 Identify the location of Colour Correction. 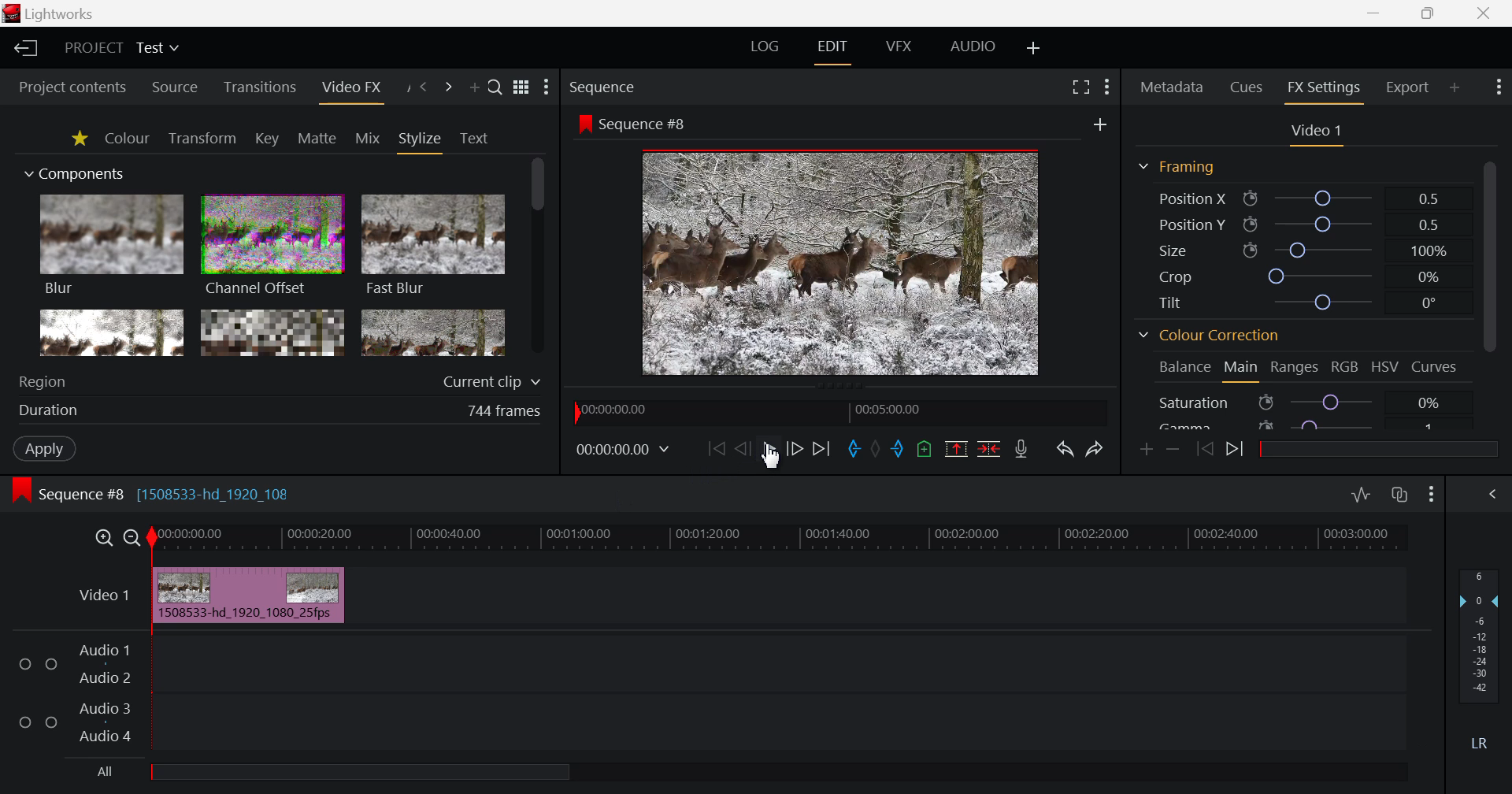
(1209, 336).